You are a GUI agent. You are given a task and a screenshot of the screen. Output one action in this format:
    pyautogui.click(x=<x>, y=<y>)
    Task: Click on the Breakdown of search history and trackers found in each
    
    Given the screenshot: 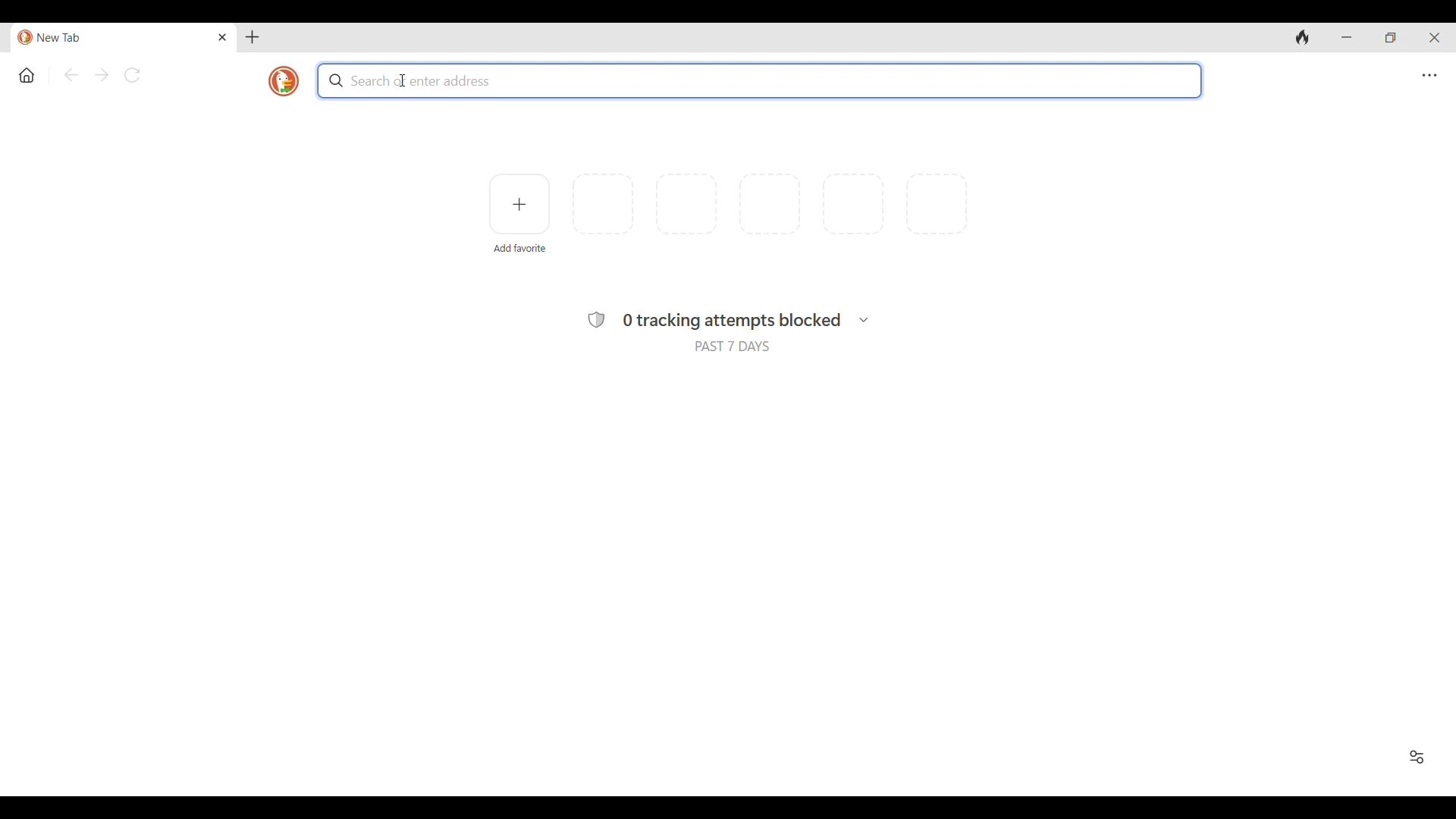 What is the action you would take?
    pyautogui.click(x=864, y=319)
    